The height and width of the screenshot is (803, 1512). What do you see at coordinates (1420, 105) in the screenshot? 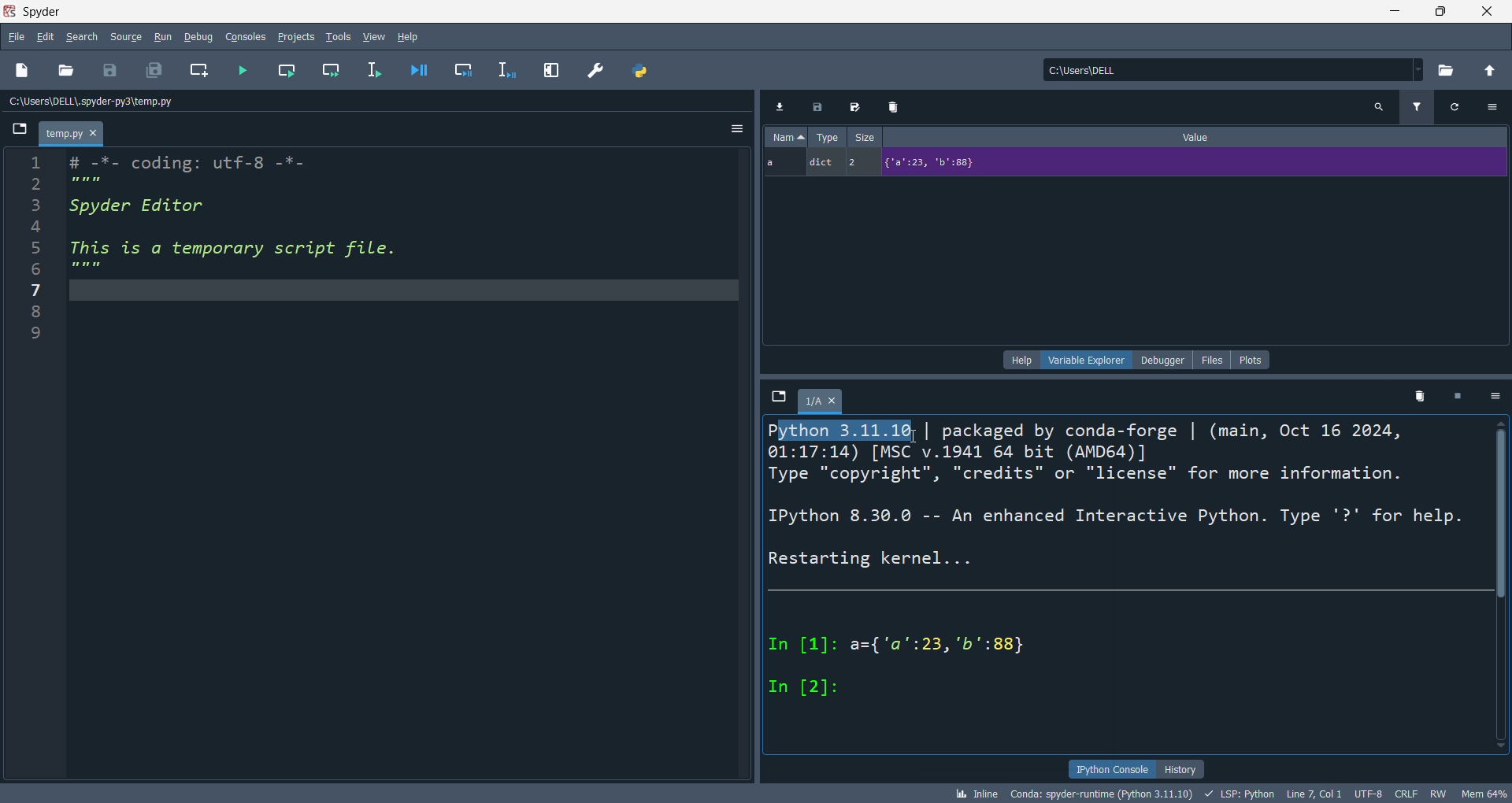
I see `filter` at bounding box center [1420, 105].